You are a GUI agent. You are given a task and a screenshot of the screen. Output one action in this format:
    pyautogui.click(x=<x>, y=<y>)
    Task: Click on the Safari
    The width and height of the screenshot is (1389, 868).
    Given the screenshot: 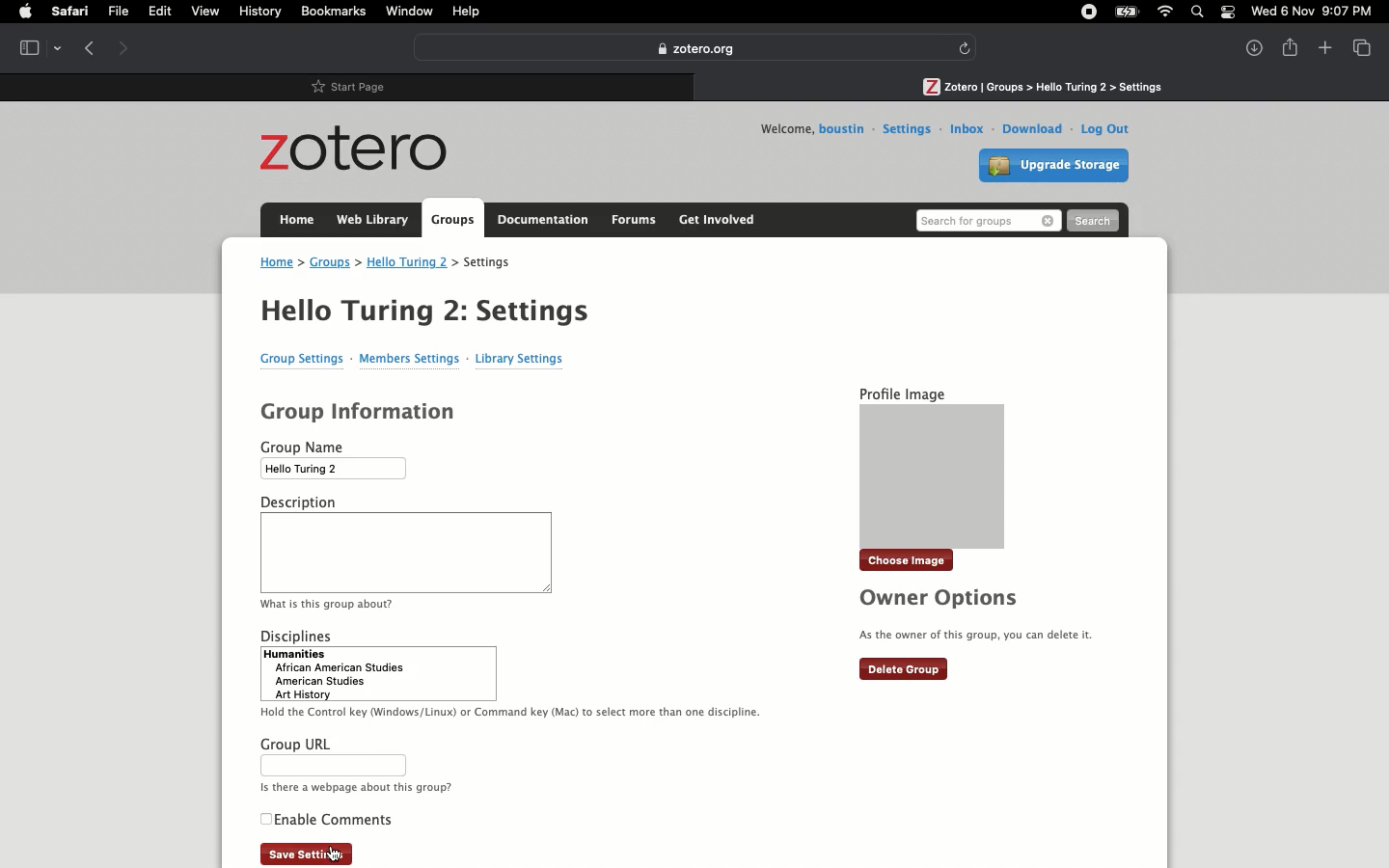 What is the action you would take?
    pyautogui.click(x=72, y=12)
    